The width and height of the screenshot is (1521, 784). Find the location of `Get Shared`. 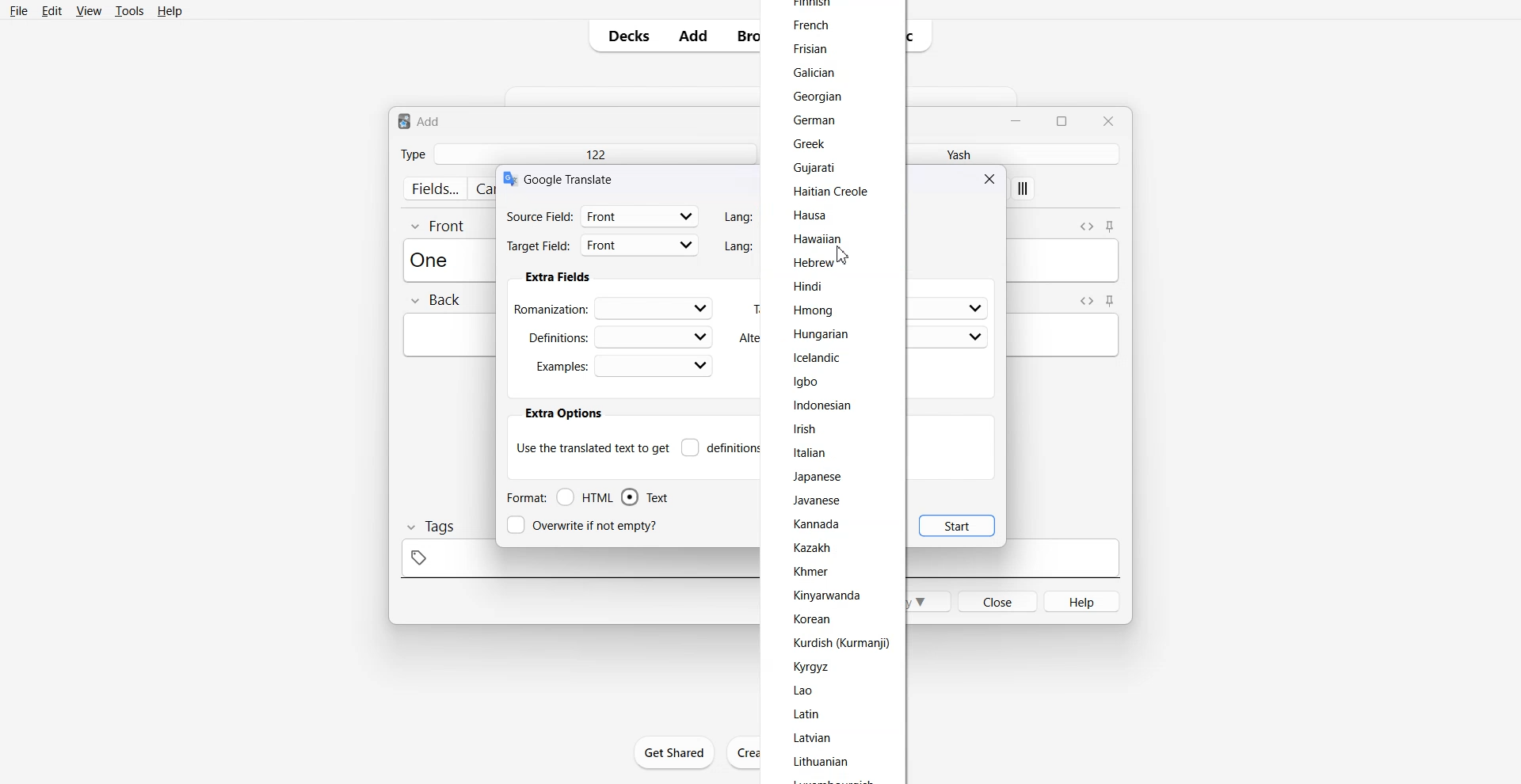

Get Shared is located at coordinates (675, 752).